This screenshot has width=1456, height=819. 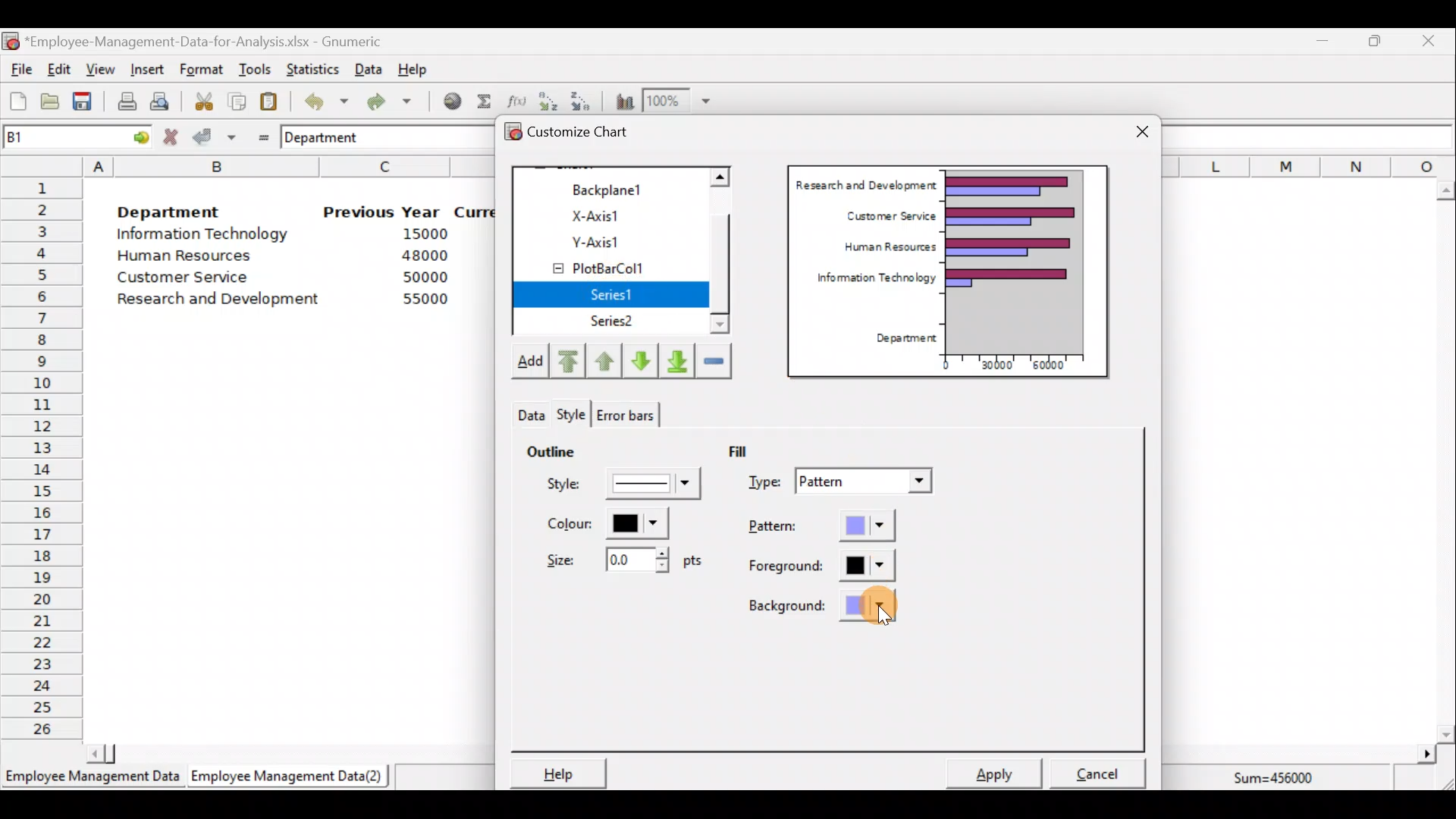 I want to click on Series2, so click(x=615, y=322).